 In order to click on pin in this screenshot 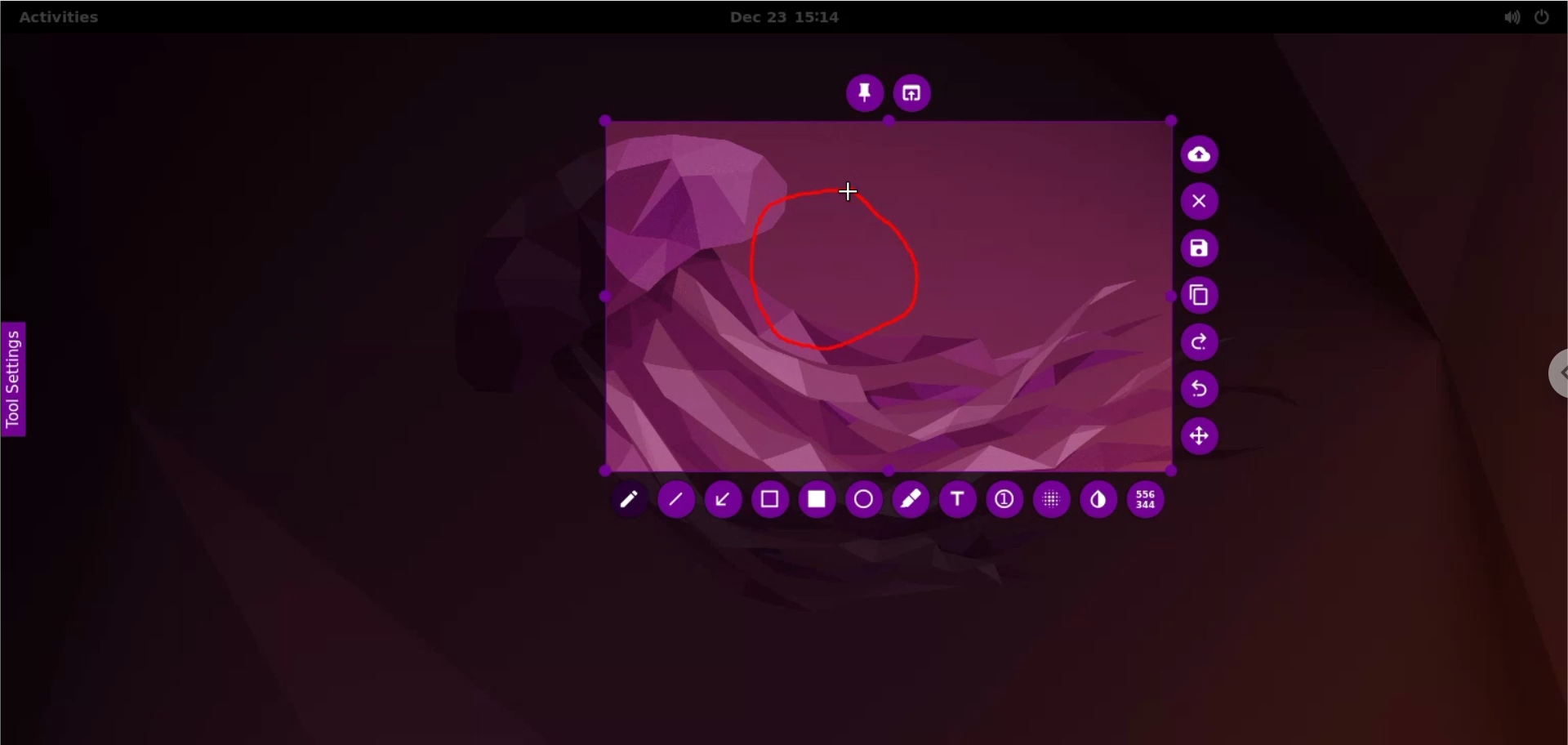, I will do `click(863, 93)`.